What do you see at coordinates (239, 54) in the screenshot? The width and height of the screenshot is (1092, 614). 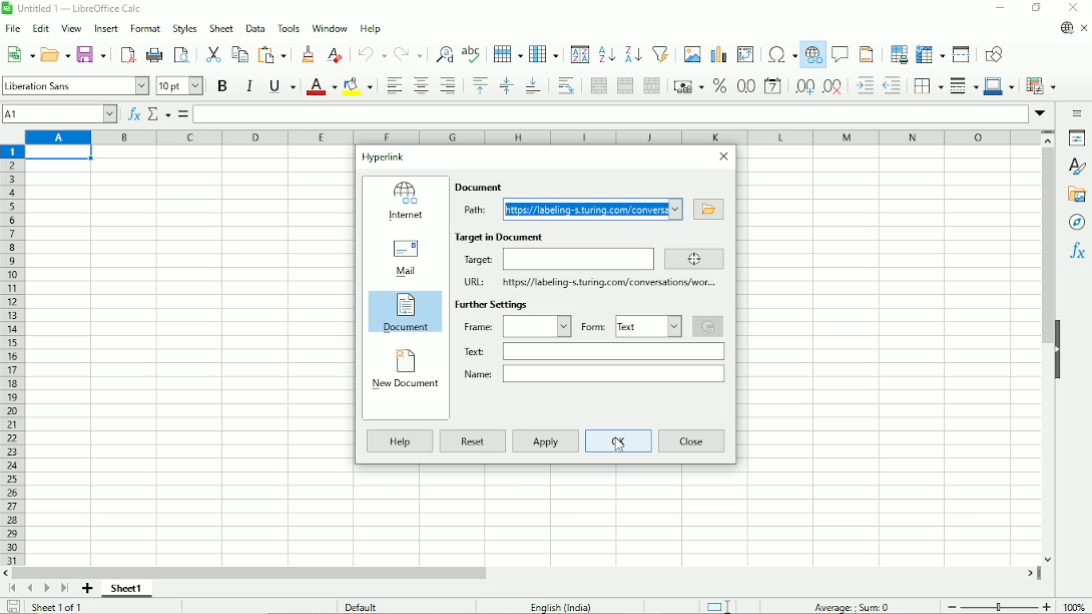 I see `Copy` at bounding box center [239, 54].